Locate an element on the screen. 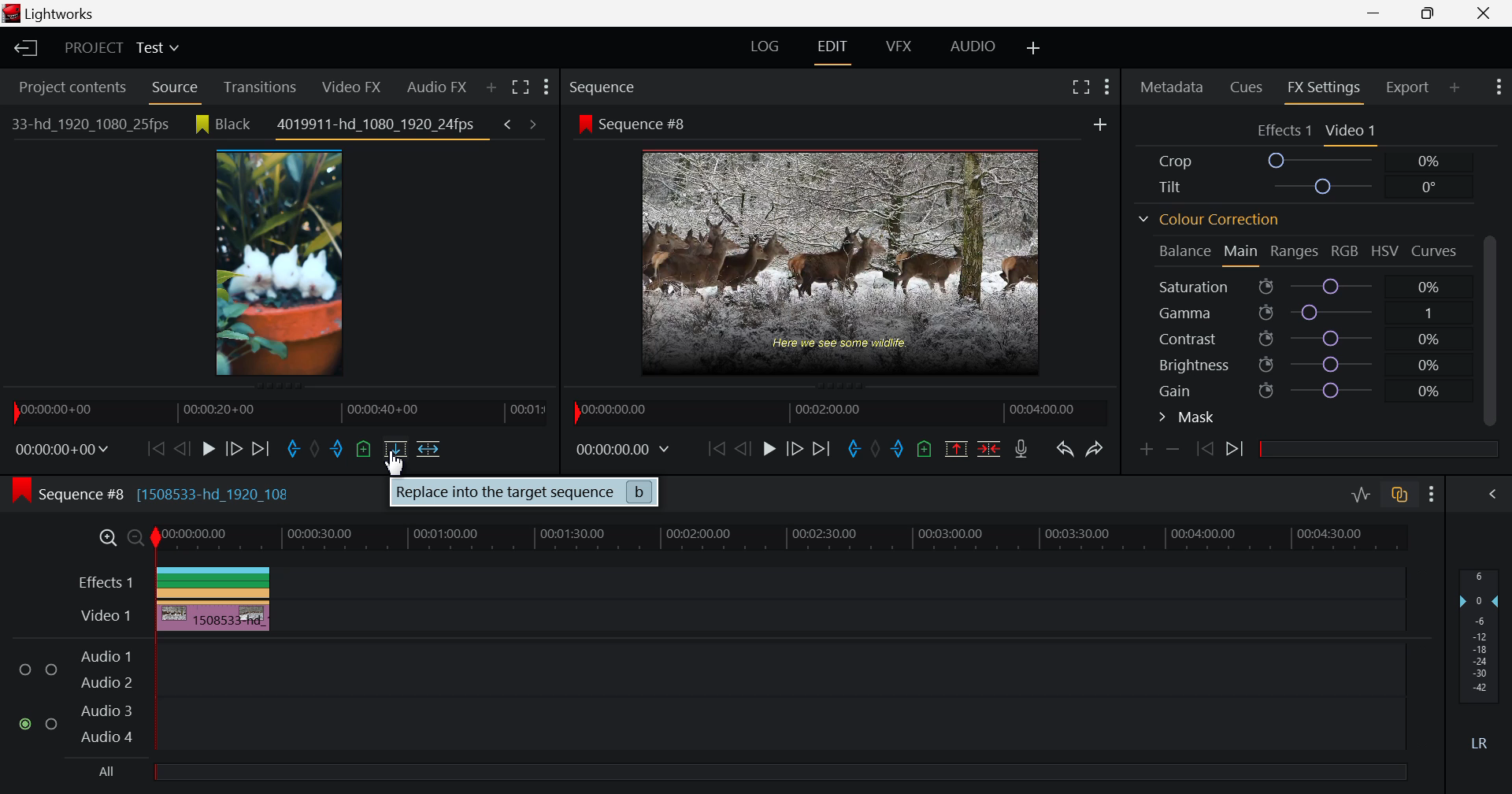  Restore Down is located at coordinates (1378, 13).